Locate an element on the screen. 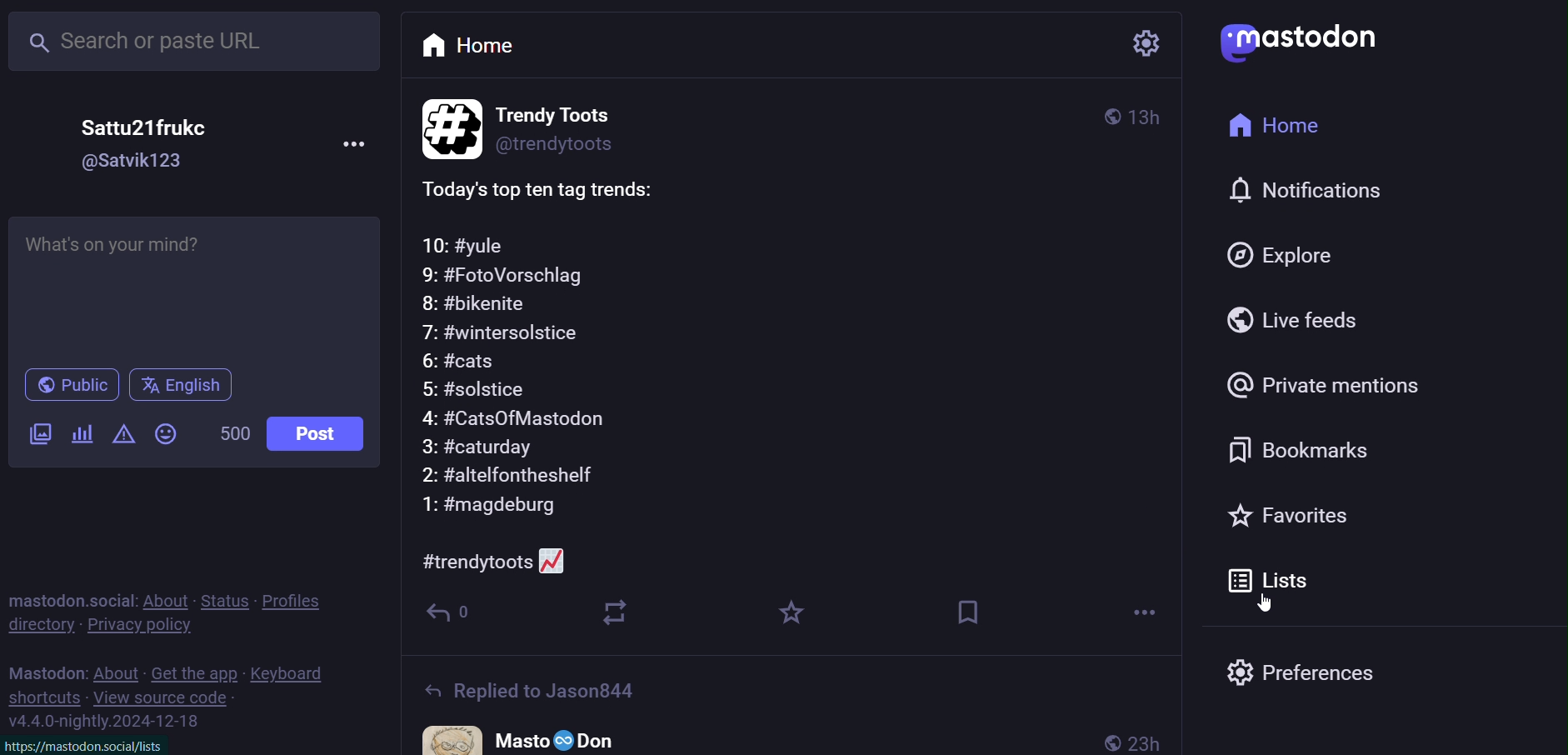  mastodon social is located at coordinates (71, 597).